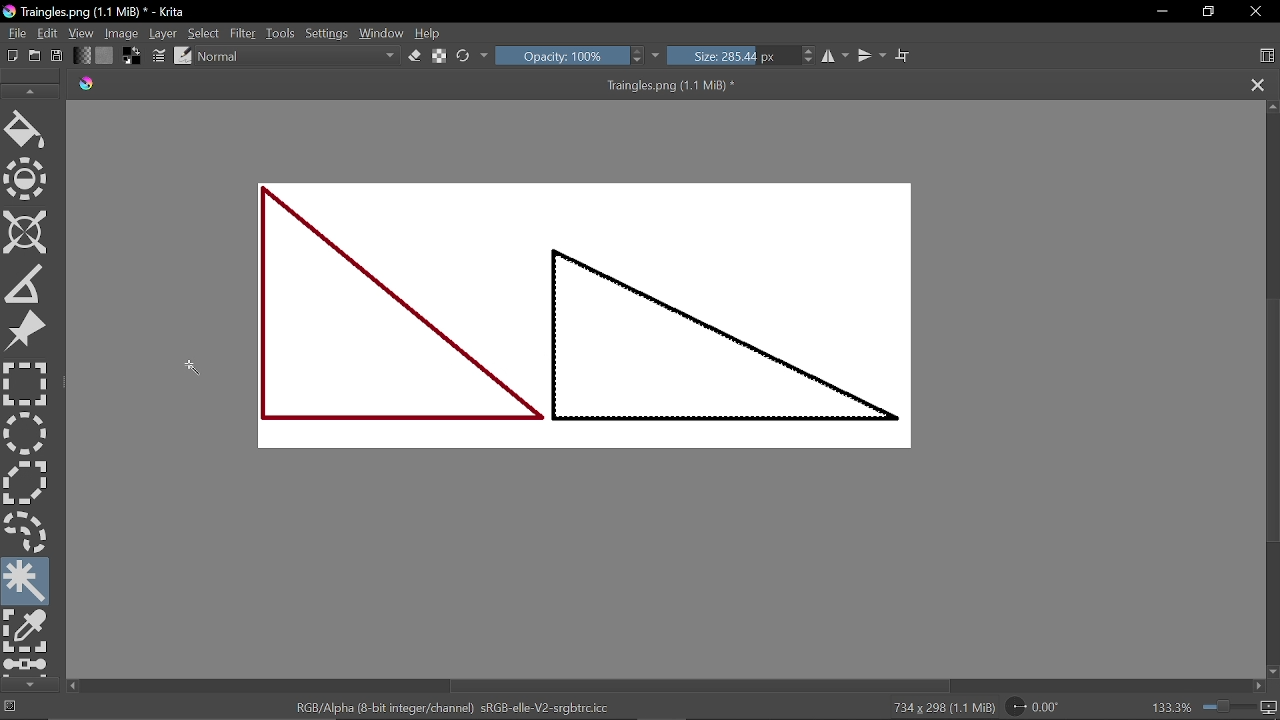 This screenshot has width=1280, height=720. I want to click on Move left, so click(72, 686).